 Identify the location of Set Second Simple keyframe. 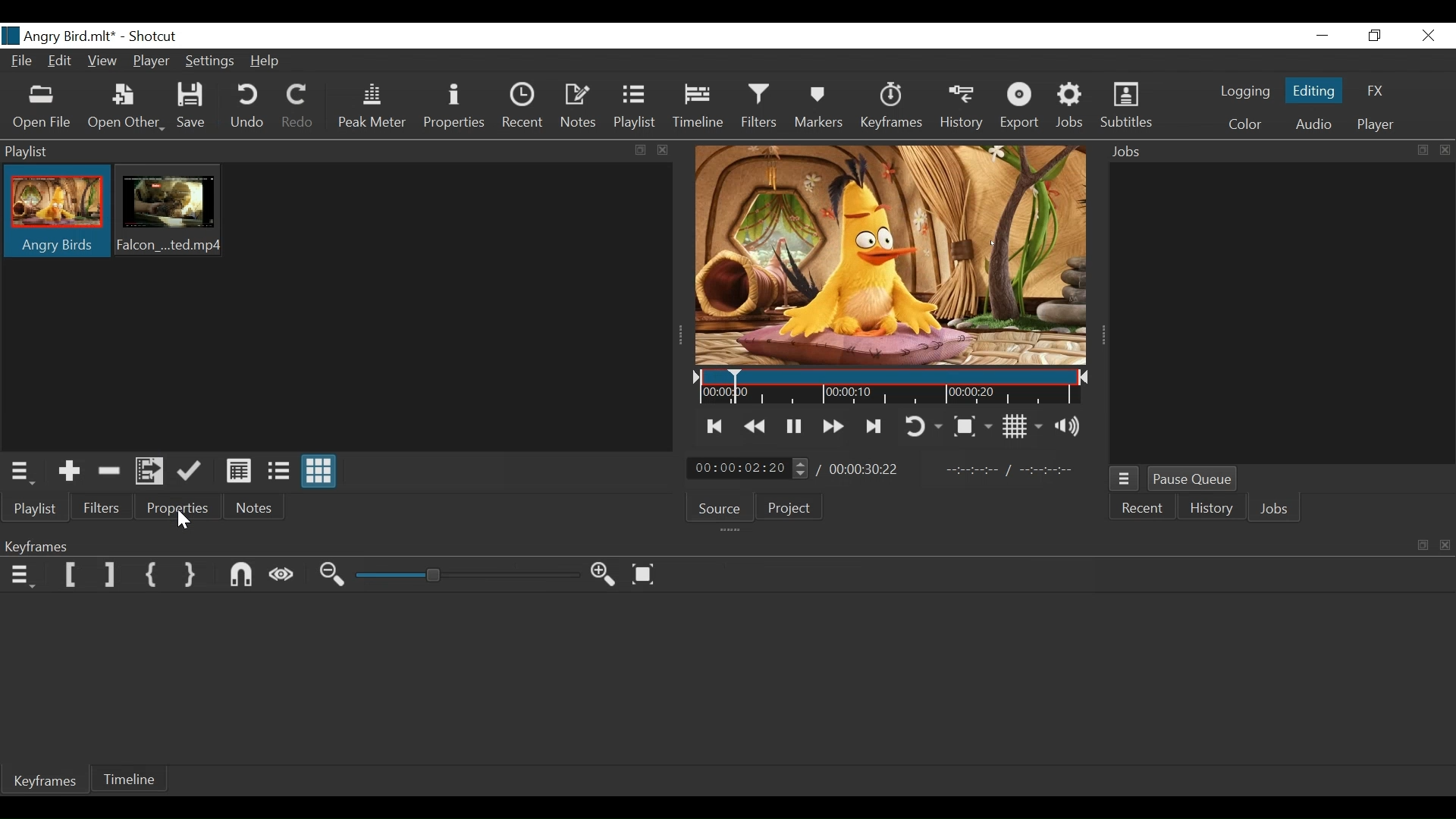
(193, 576).